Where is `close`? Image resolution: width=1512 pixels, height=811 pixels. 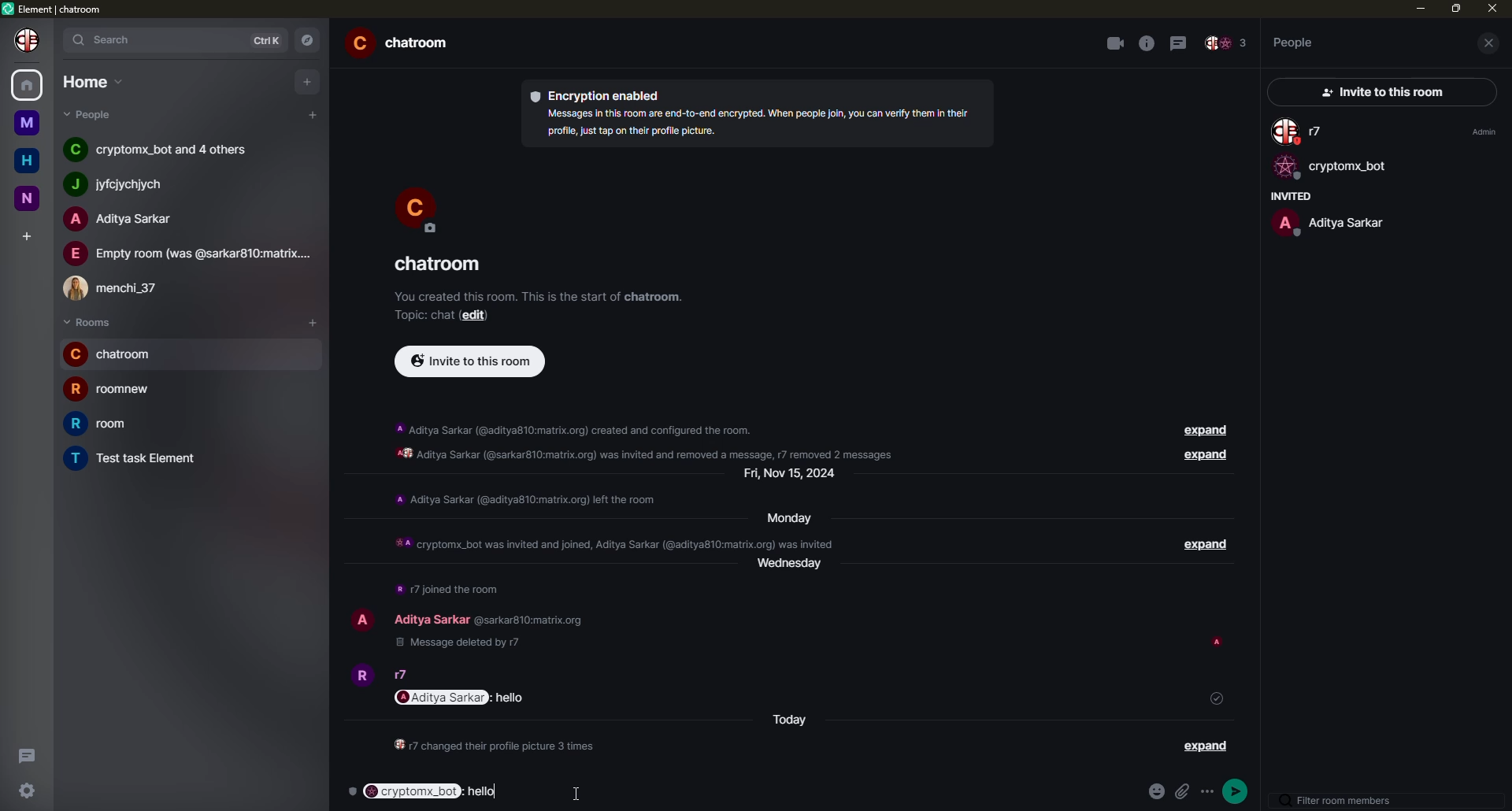
close is located at coordinates (1492, 9).